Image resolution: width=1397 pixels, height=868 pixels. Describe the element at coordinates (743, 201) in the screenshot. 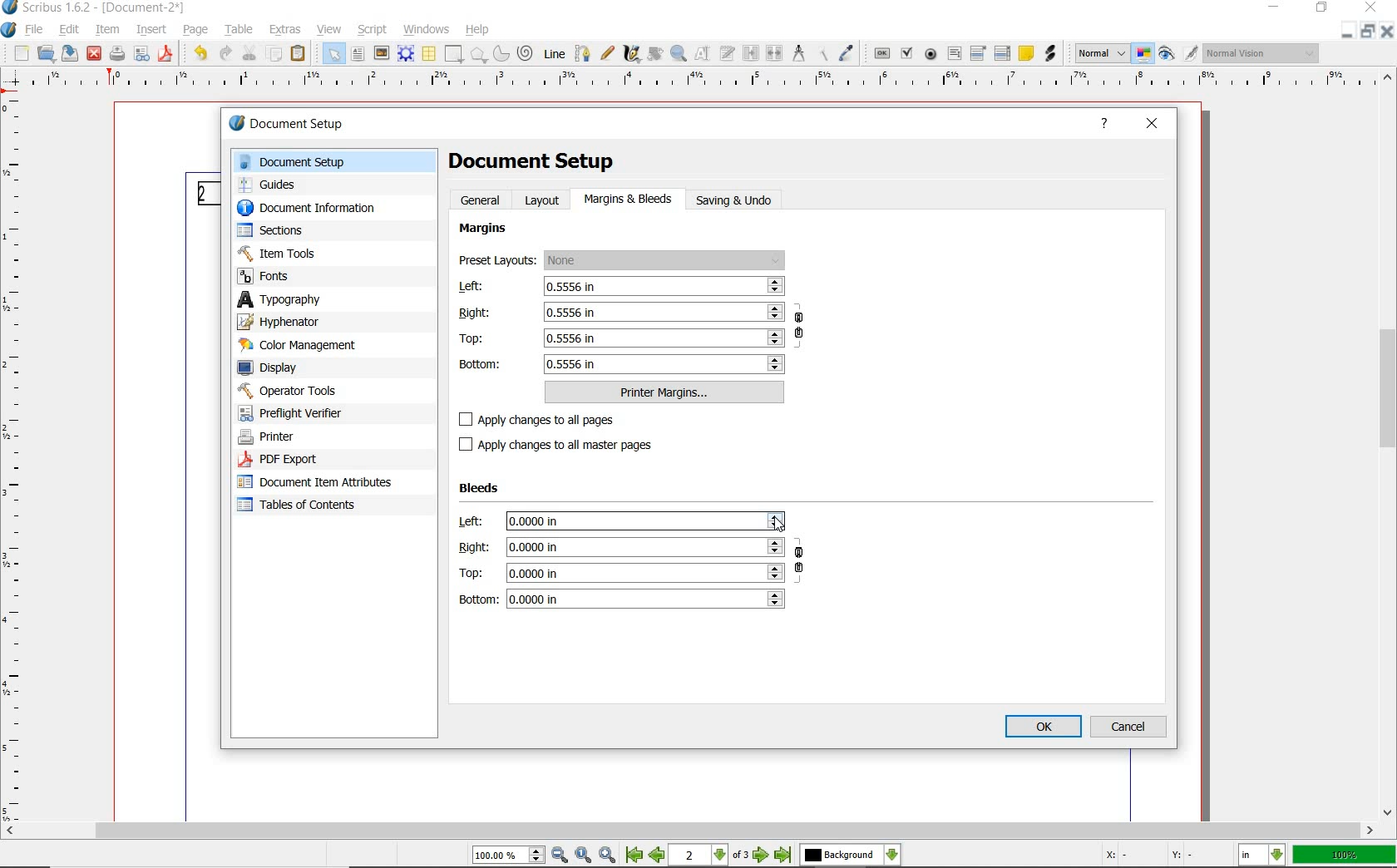

I see `saving & undo` at that location.